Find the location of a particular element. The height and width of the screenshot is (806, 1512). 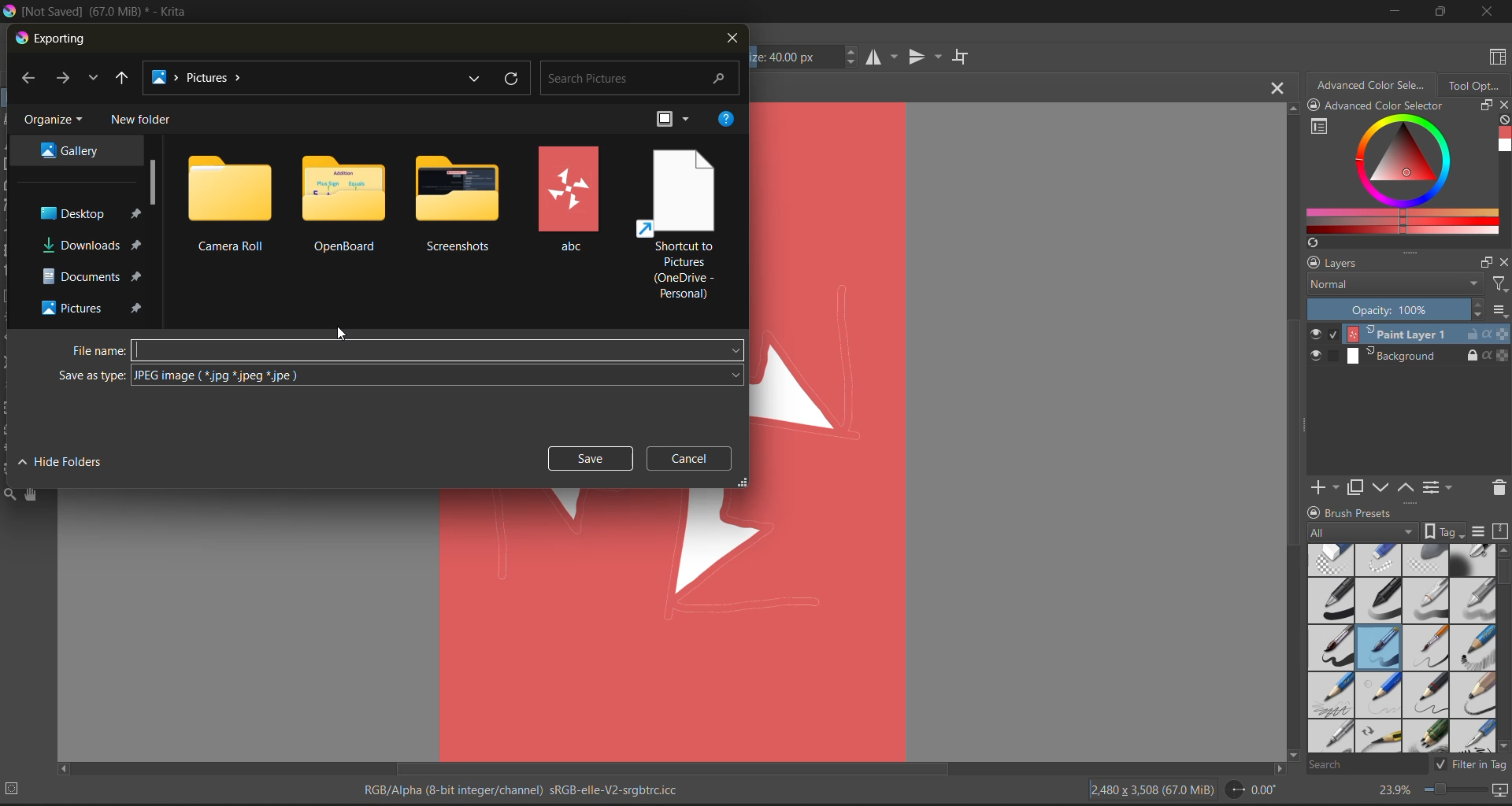

advanced color selector is located at coordinates (1374, 87).